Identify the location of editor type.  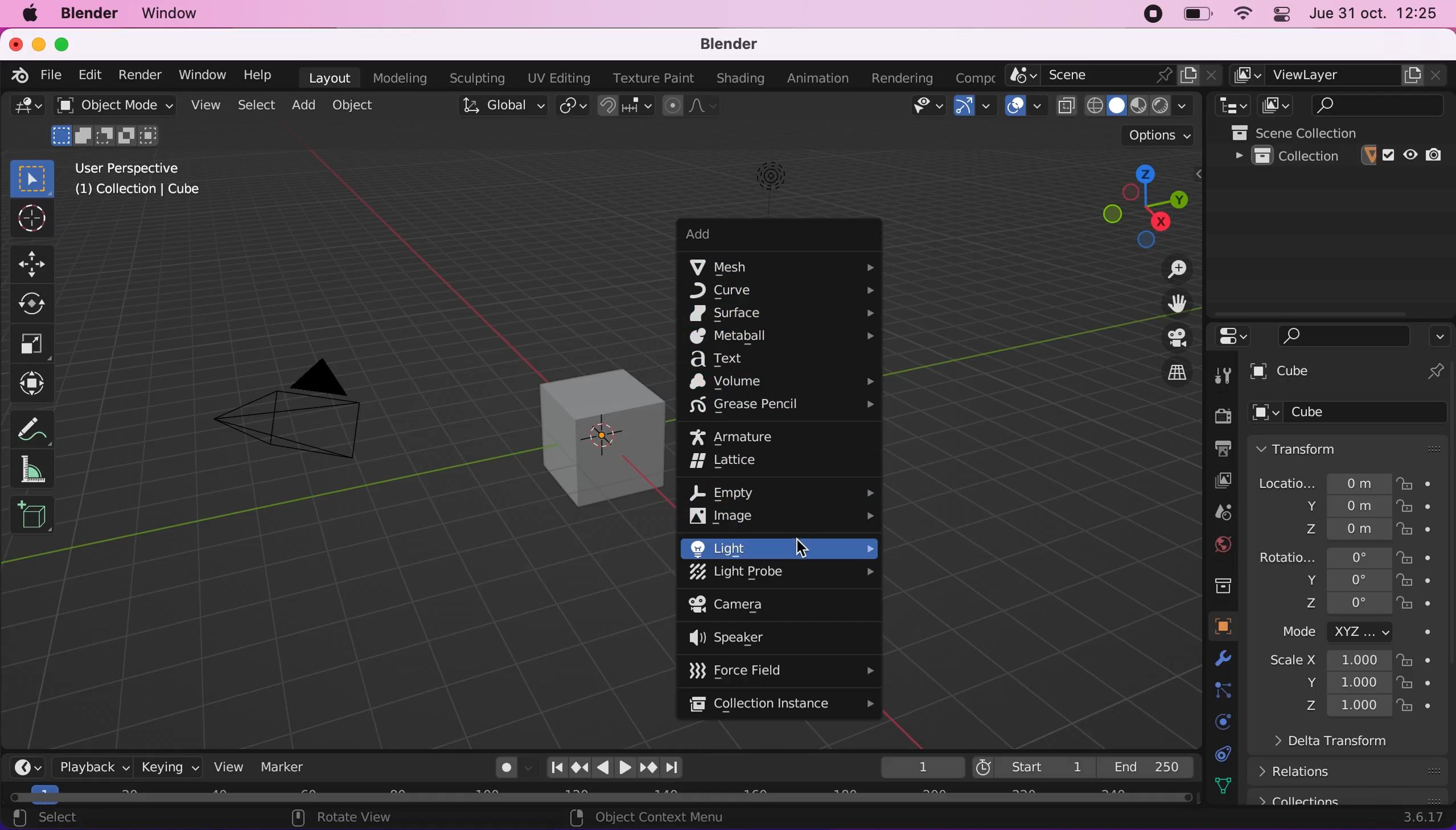
(1229, 105).